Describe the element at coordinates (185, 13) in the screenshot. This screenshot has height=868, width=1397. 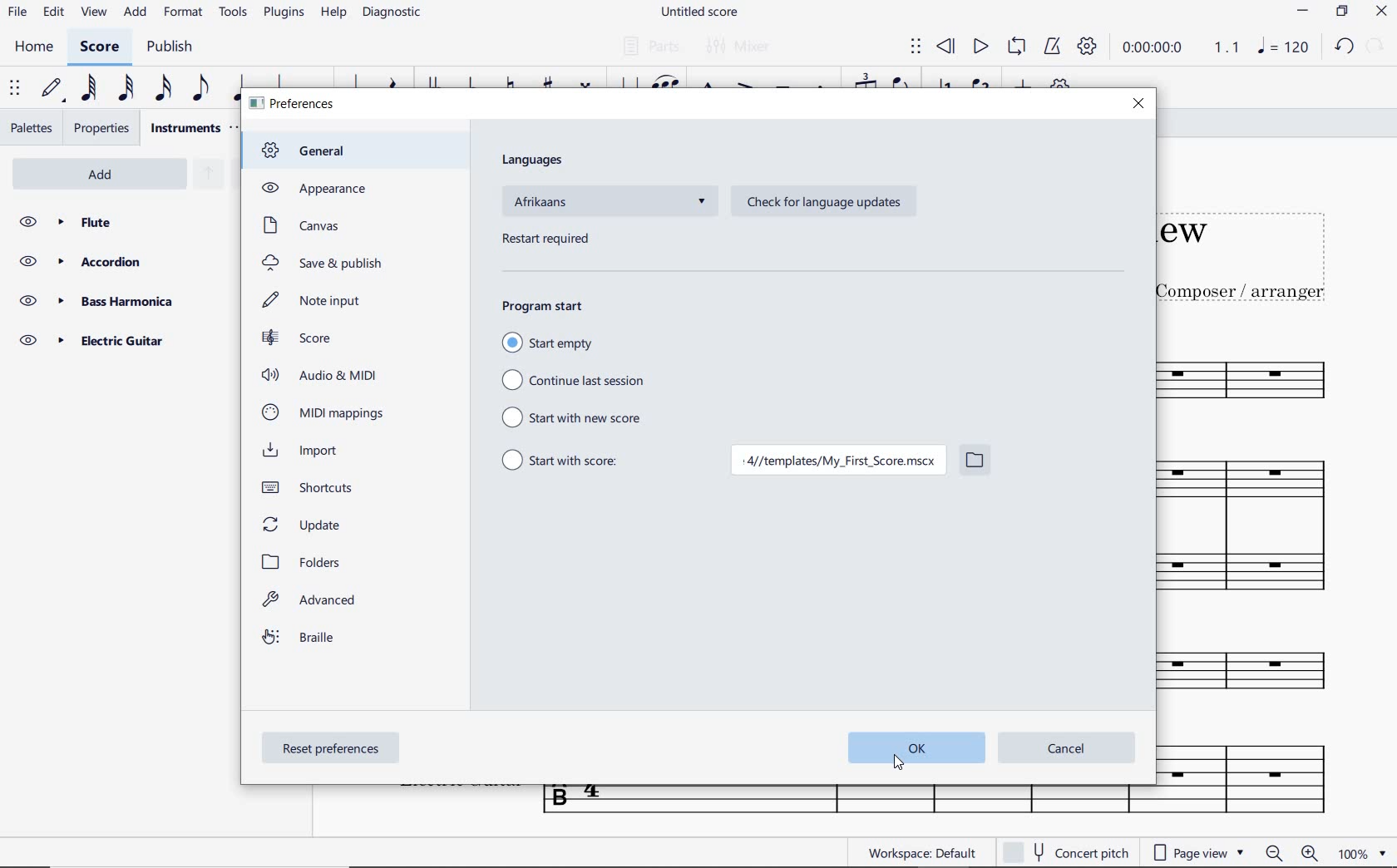
I see `format` at that location.